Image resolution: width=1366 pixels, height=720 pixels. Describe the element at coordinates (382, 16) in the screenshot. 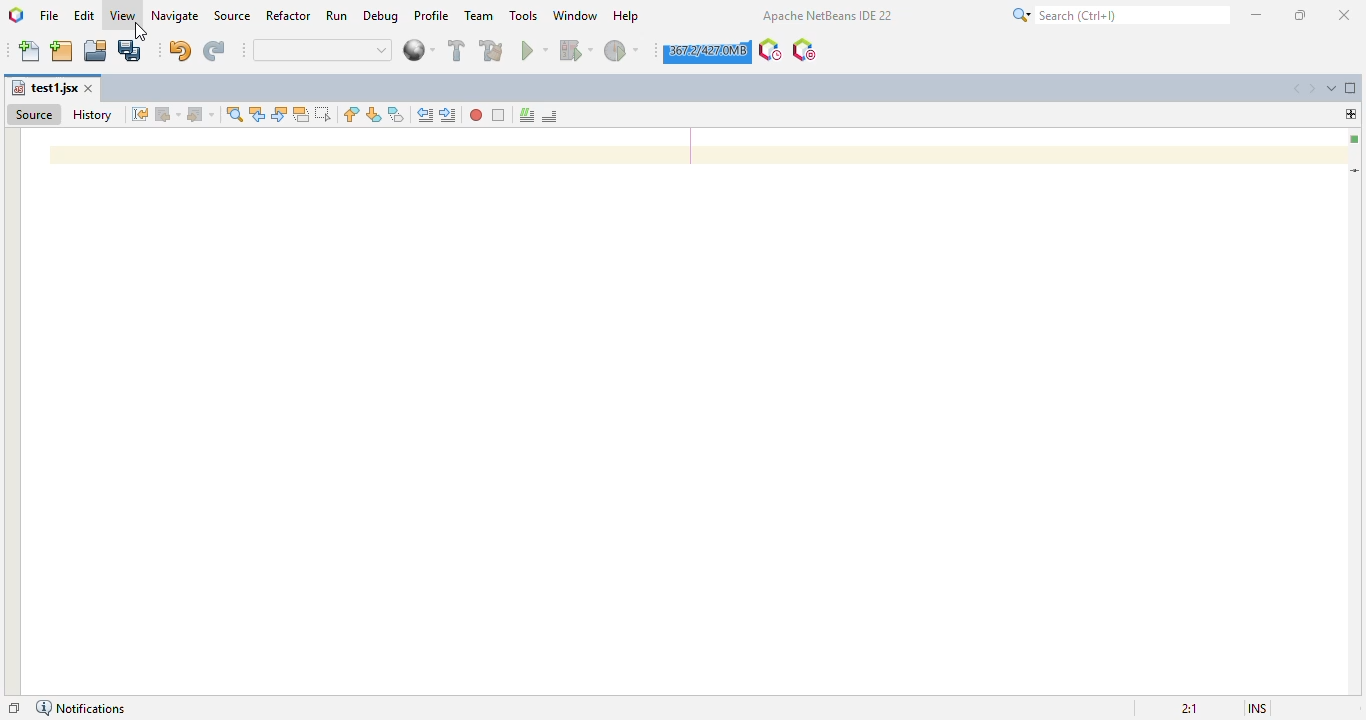

I see `debug` at that location.